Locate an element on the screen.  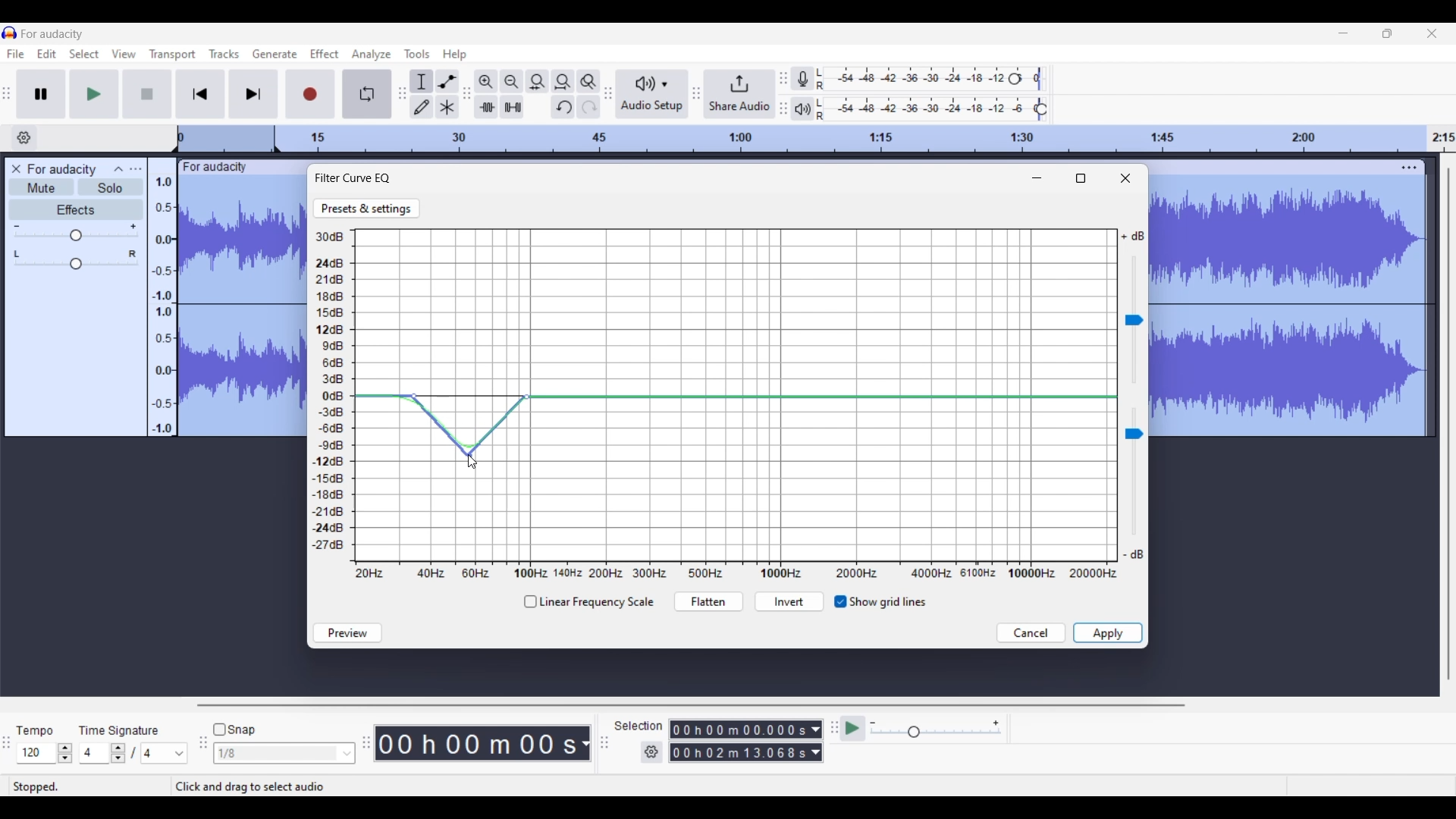
Zoom out is located at coordinates (511, 81).